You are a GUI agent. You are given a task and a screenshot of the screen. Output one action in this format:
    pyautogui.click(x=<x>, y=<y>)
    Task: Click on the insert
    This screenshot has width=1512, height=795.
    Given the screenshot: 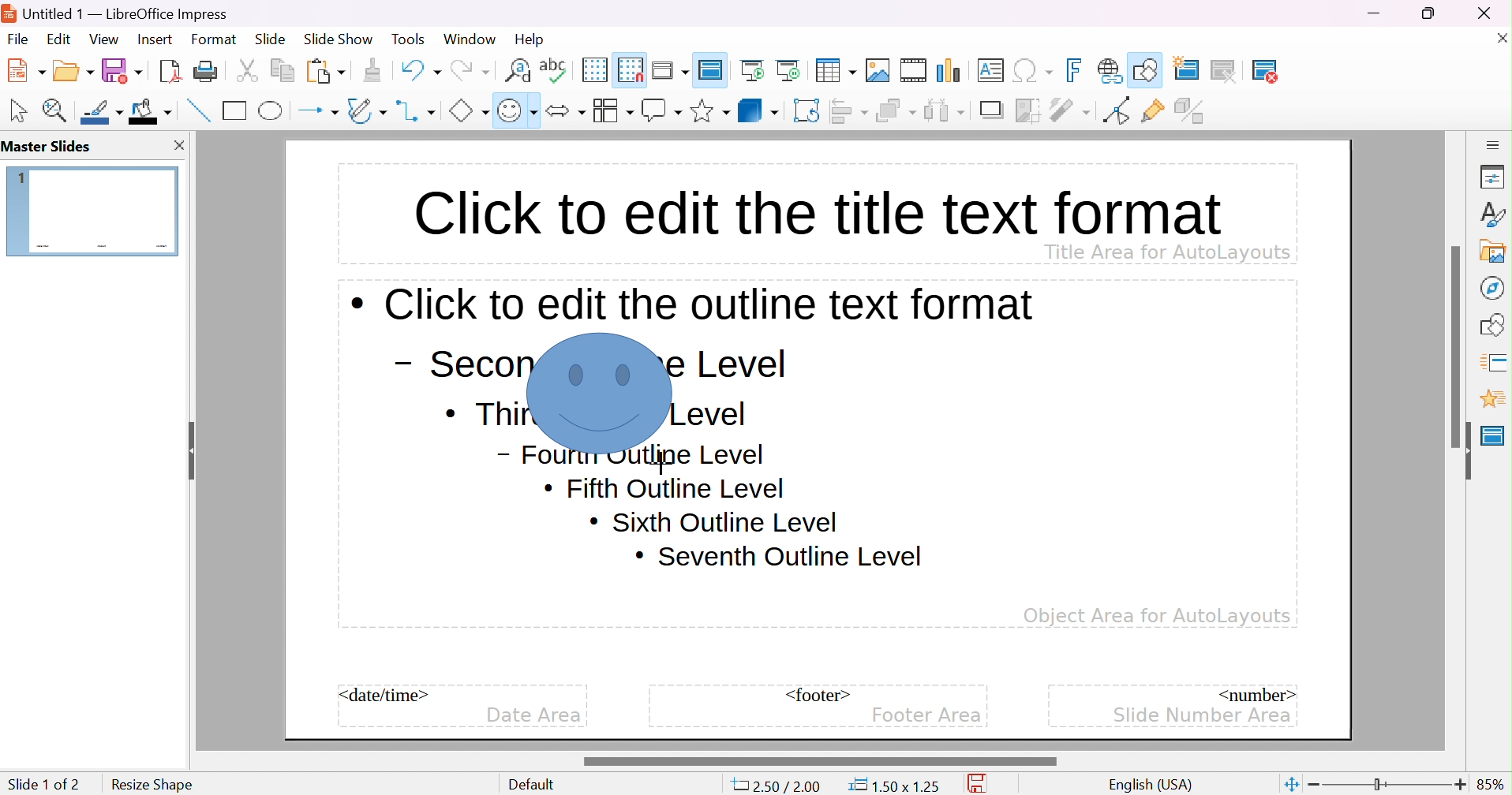 What is the action you would take?
    pyautogui.click(x=153, y=38)
    